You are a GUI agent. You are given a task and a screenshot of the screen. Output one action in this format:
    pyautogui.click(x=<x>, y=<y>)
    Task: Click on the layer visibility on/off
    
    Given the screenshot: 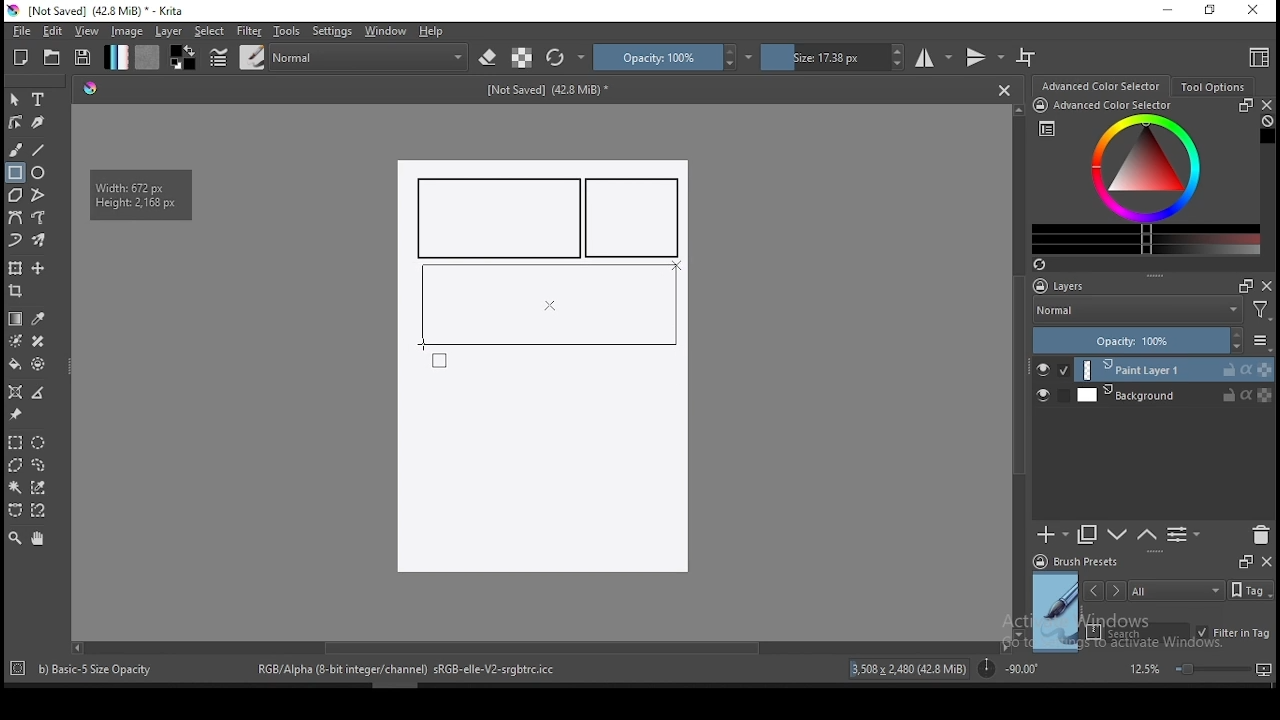 What is the action you would take?
    pyautogui.click(x=1053, y=370)
    